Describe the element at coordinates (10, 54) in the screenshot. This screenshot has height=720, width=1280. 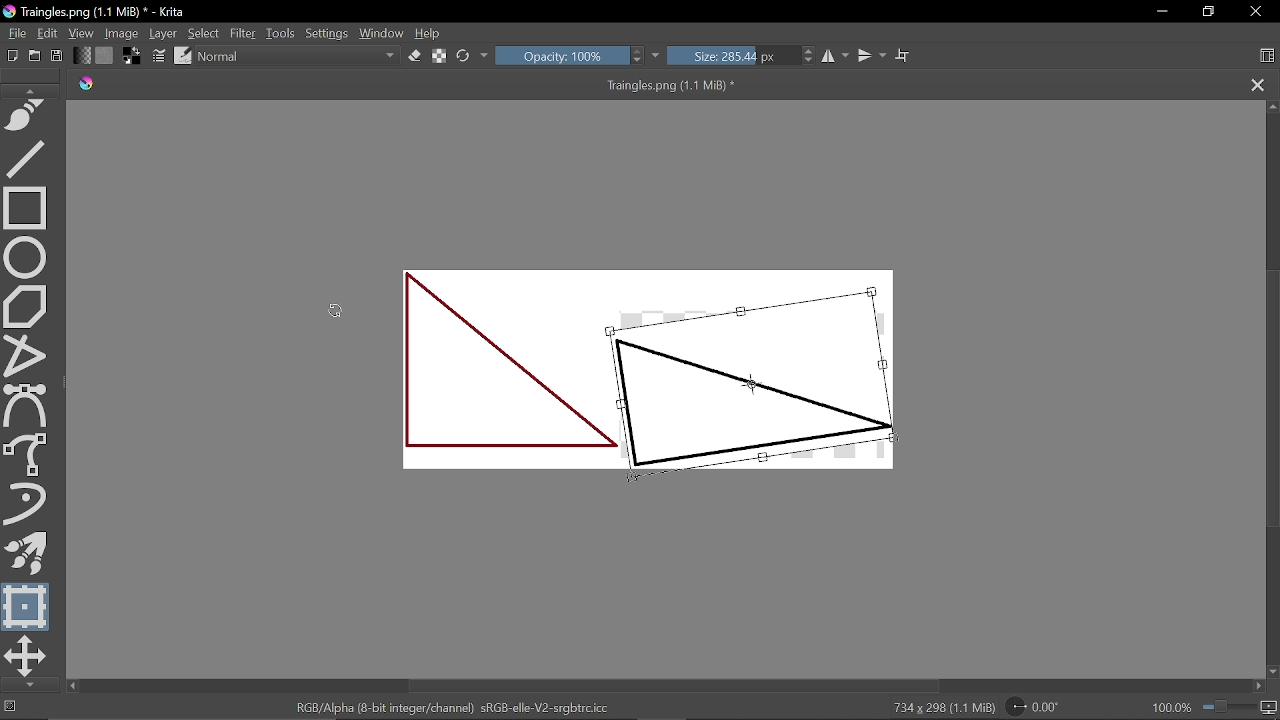
I see `New document` at that location.